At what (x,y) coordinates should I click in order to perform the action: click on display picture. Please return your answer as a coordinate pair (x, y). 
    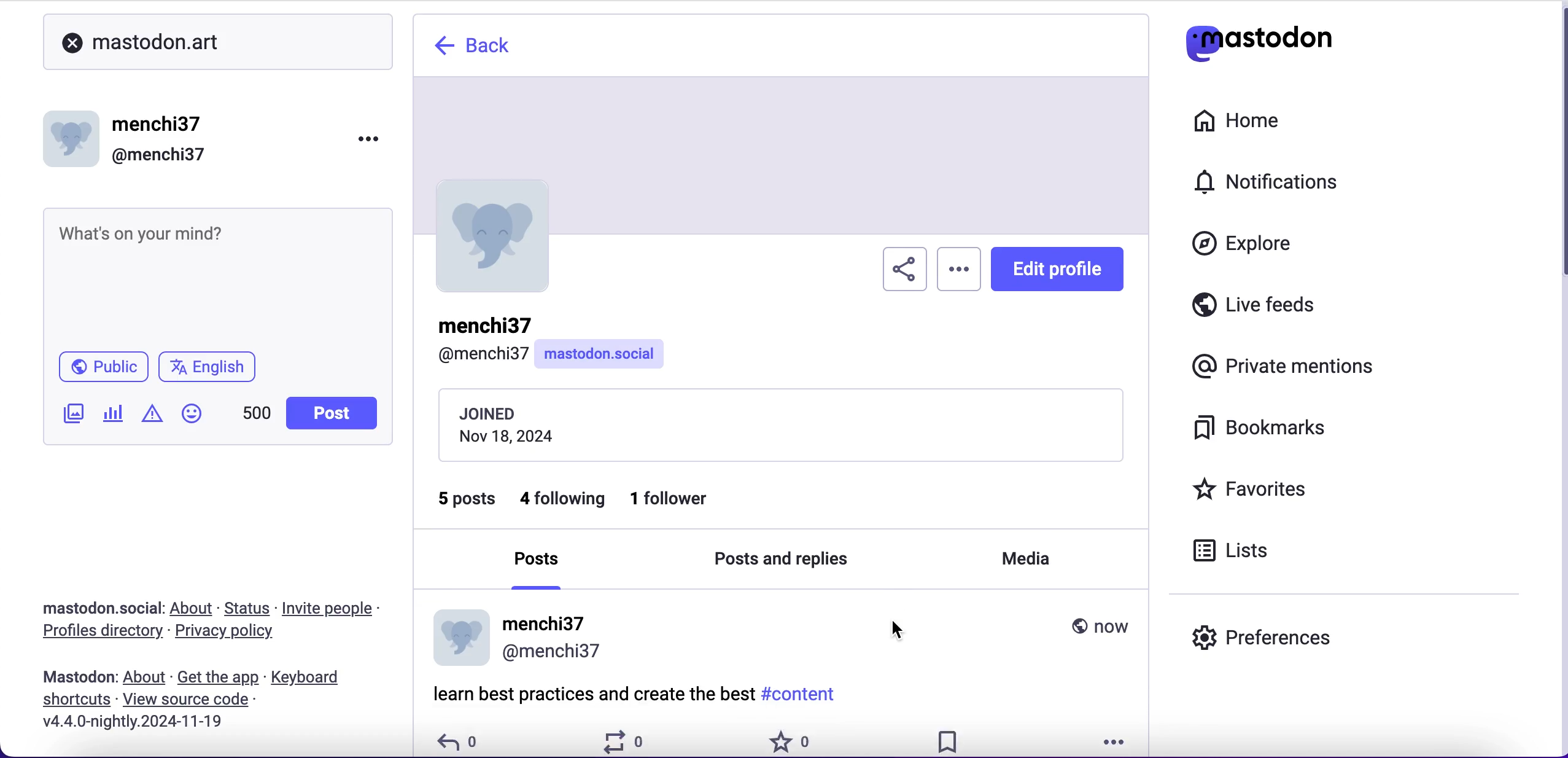
    Looking at the image, I should click on (454, 637).